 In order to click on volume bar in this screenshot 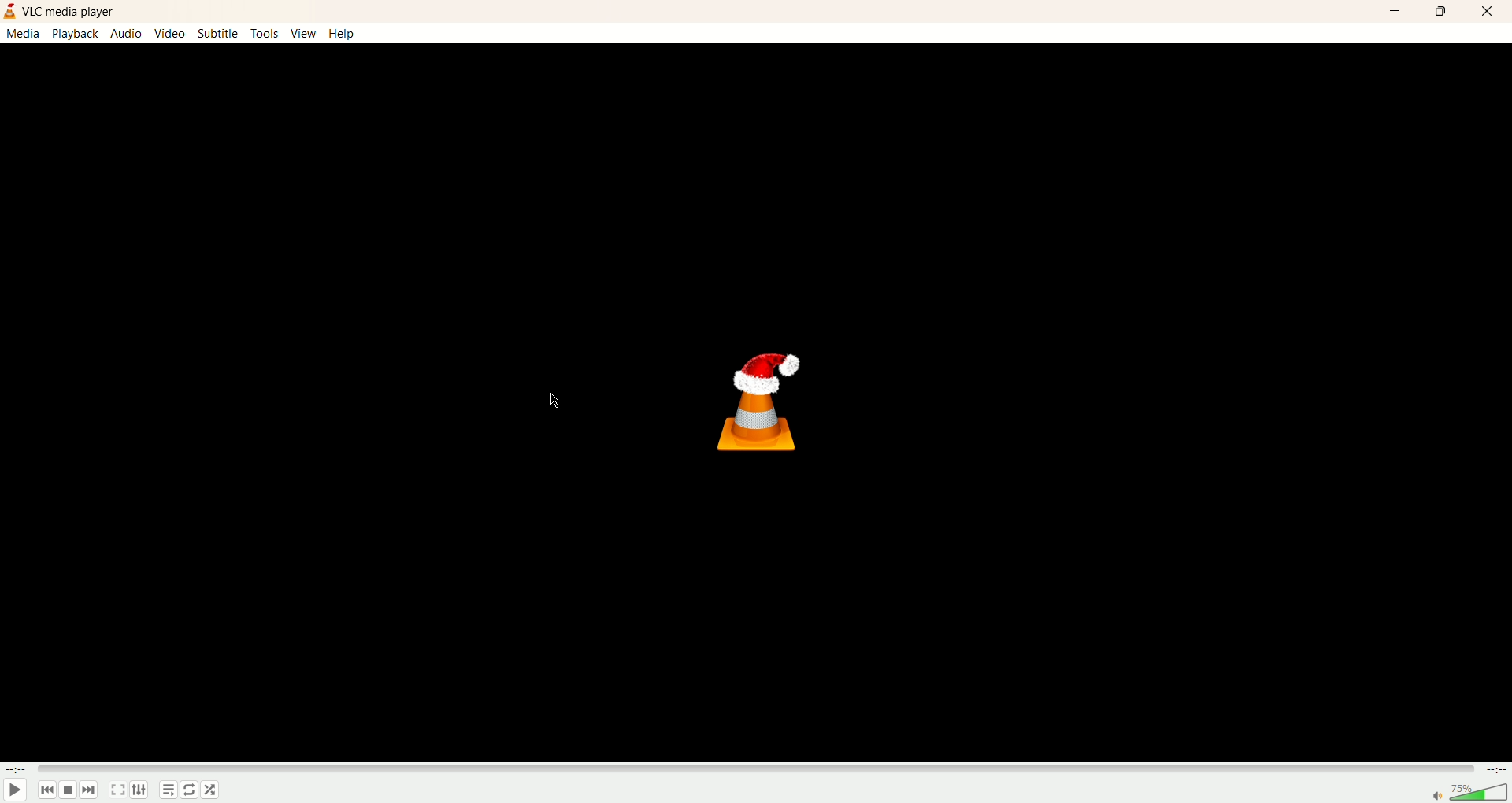, I will do `click(1470, 793)`.